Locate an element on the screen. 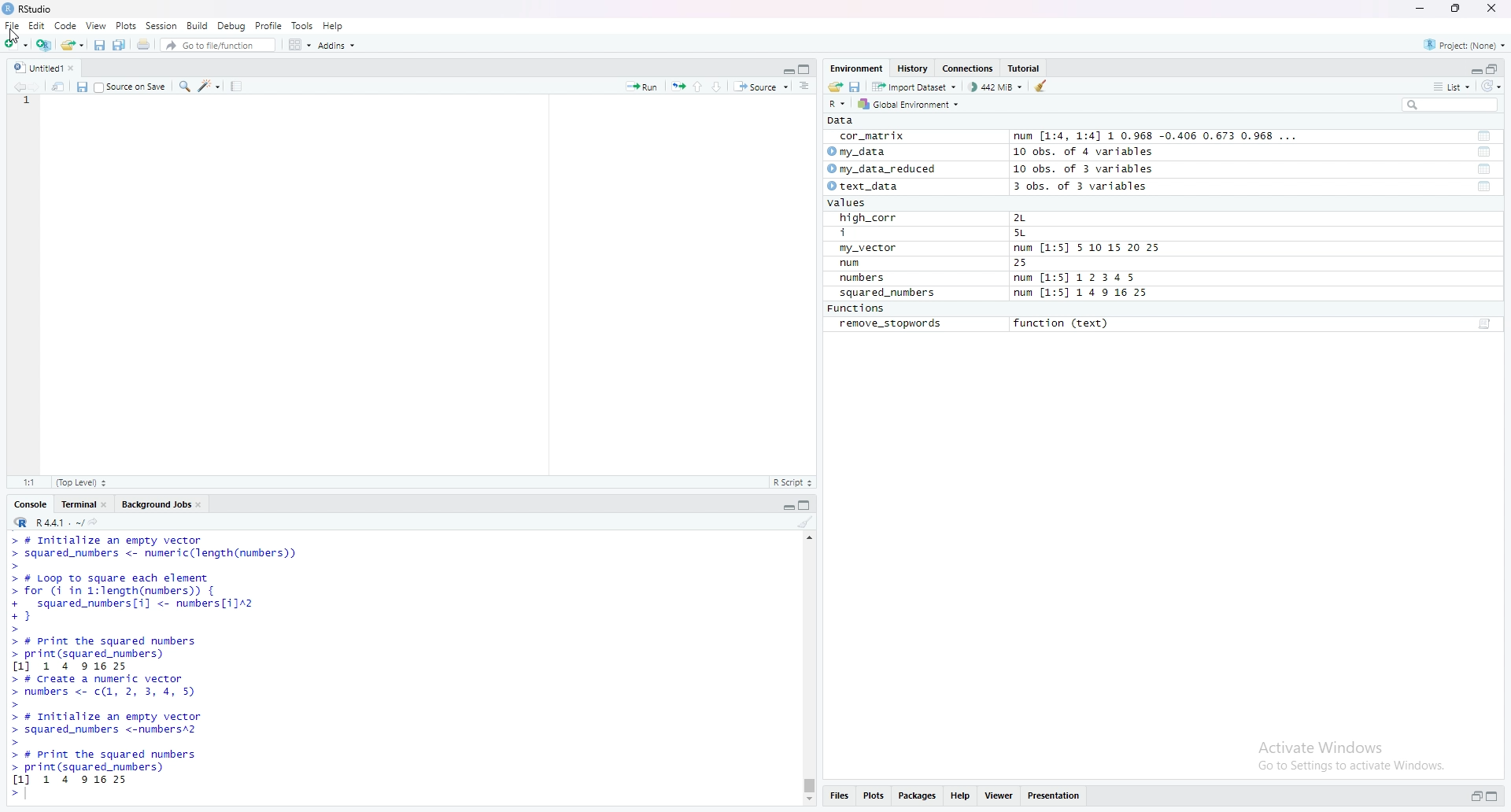  Import dataset is located at coordinates (915, 87).